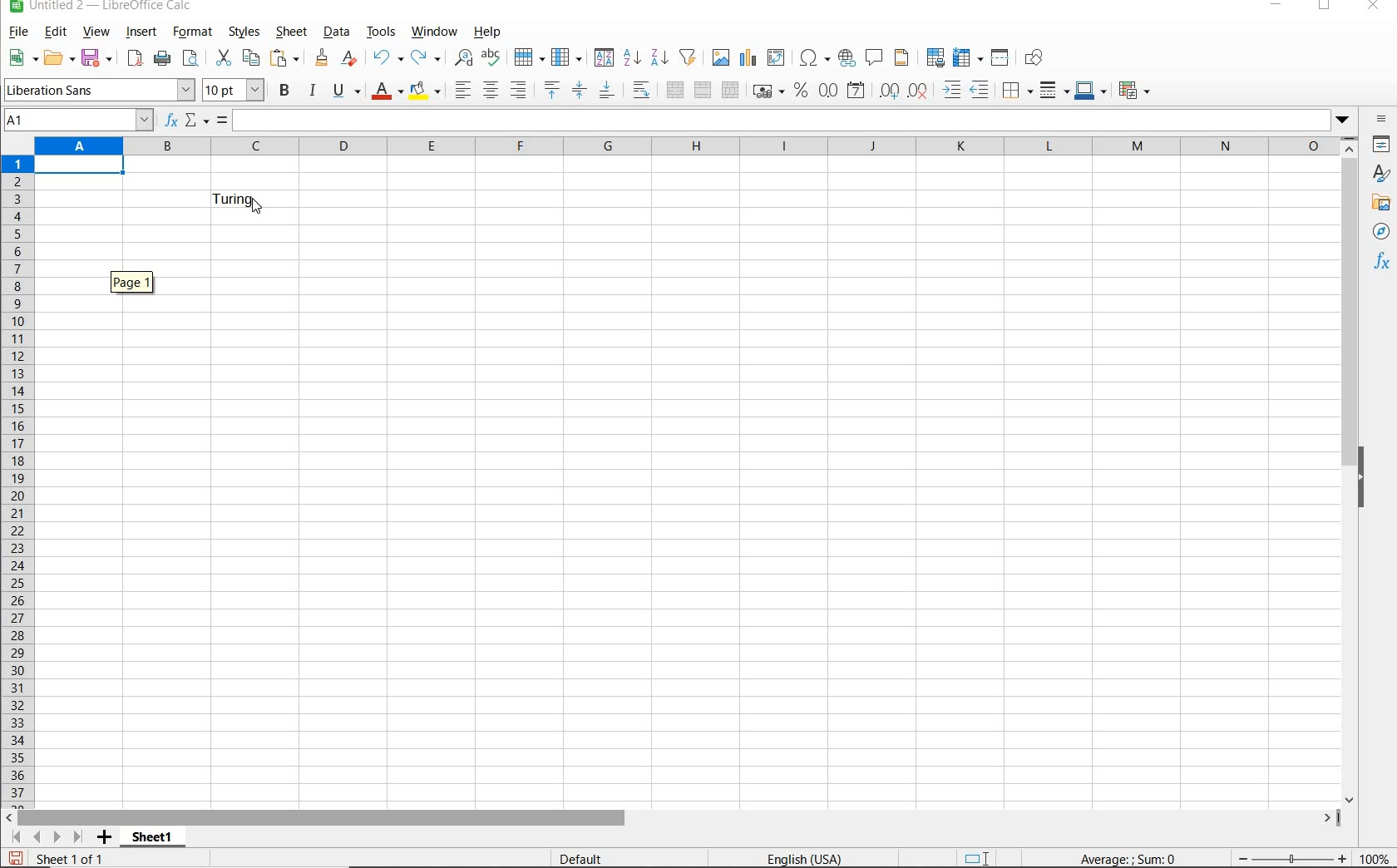 The height and width of the screenshot is (868, 1397). Describe the element at coordinates (254, 59) in the screenshot. I see `COPY` at that location.